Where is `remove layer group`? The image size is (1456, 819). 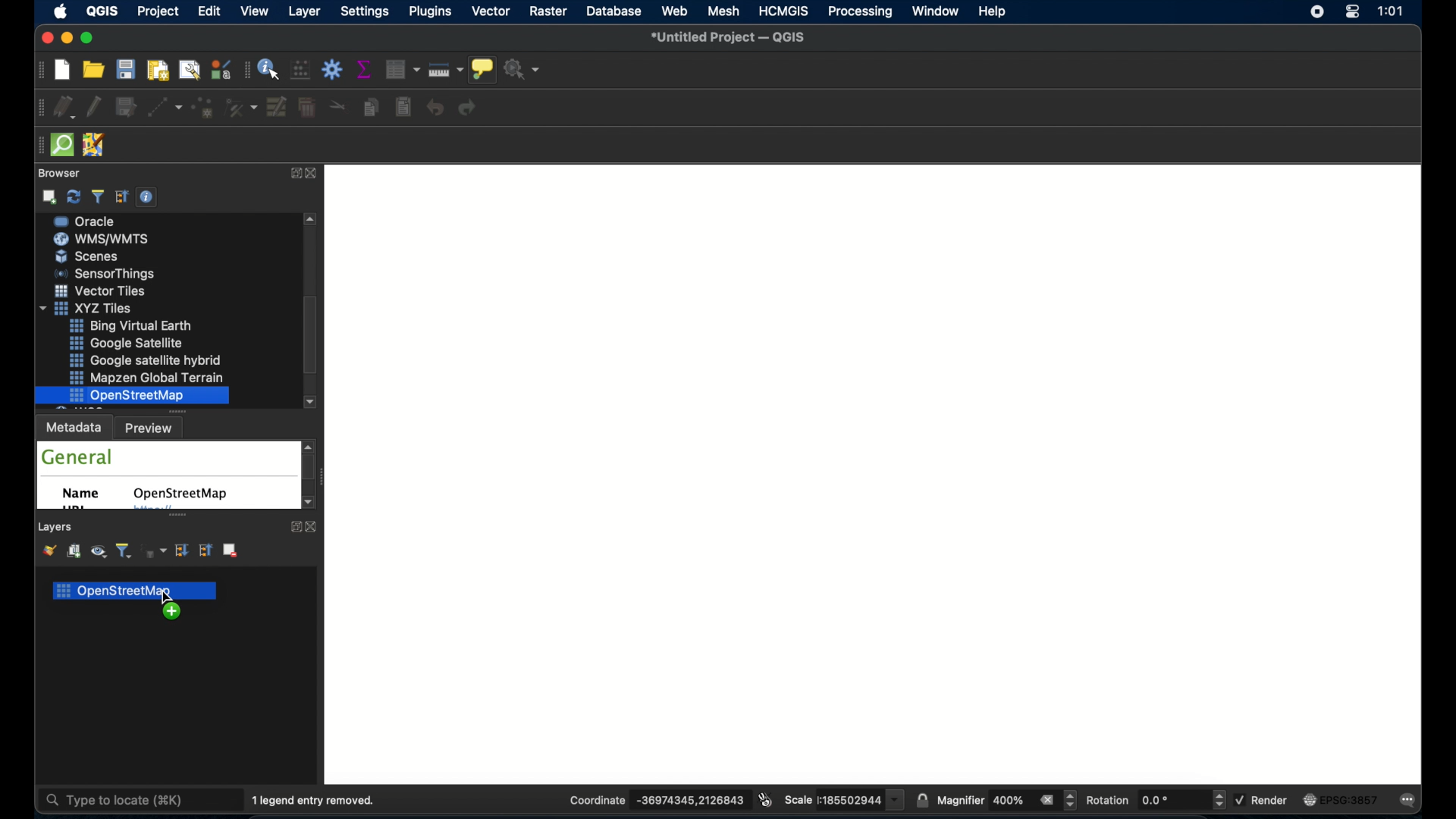
remove layer group is located at coordinates (233, 551).